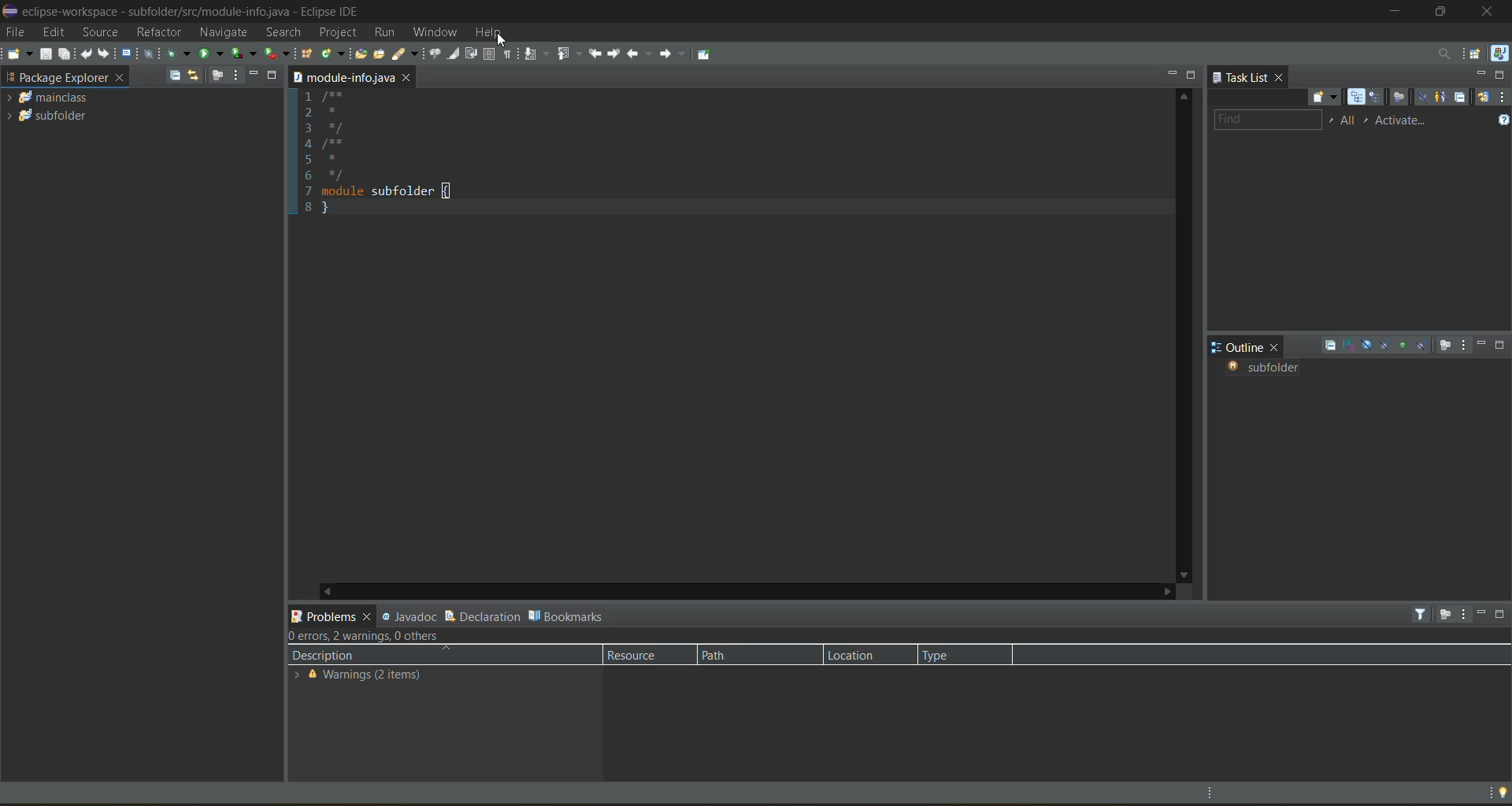 The width and height of the screenshot is (1512, 806). I want to click on minimize, so click(1484, 613).